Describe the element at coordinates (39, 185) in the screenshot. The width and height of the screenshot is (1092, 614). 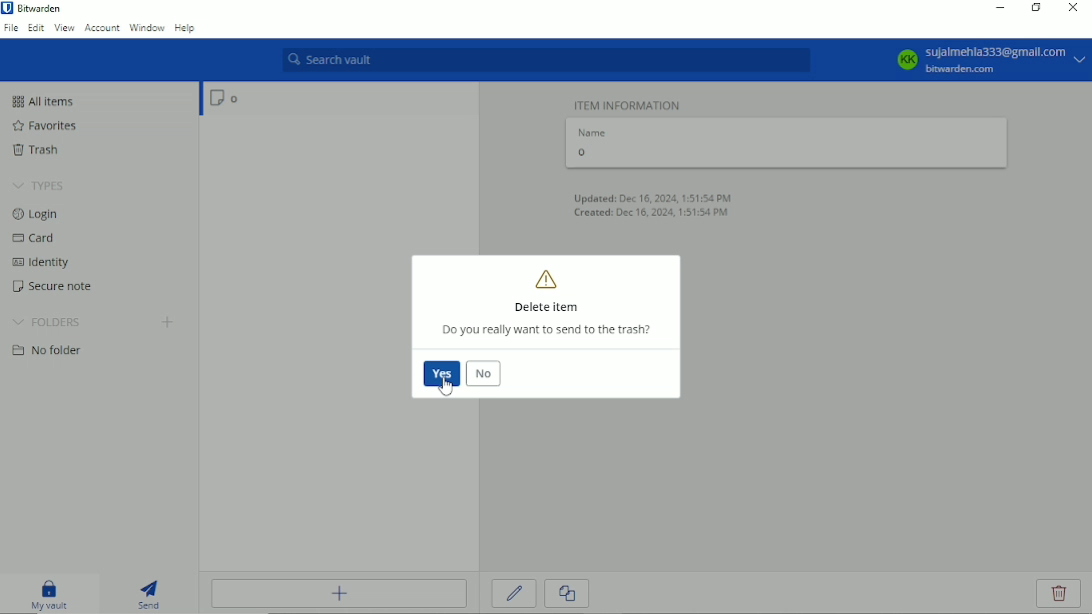
I see `Types` at that location.